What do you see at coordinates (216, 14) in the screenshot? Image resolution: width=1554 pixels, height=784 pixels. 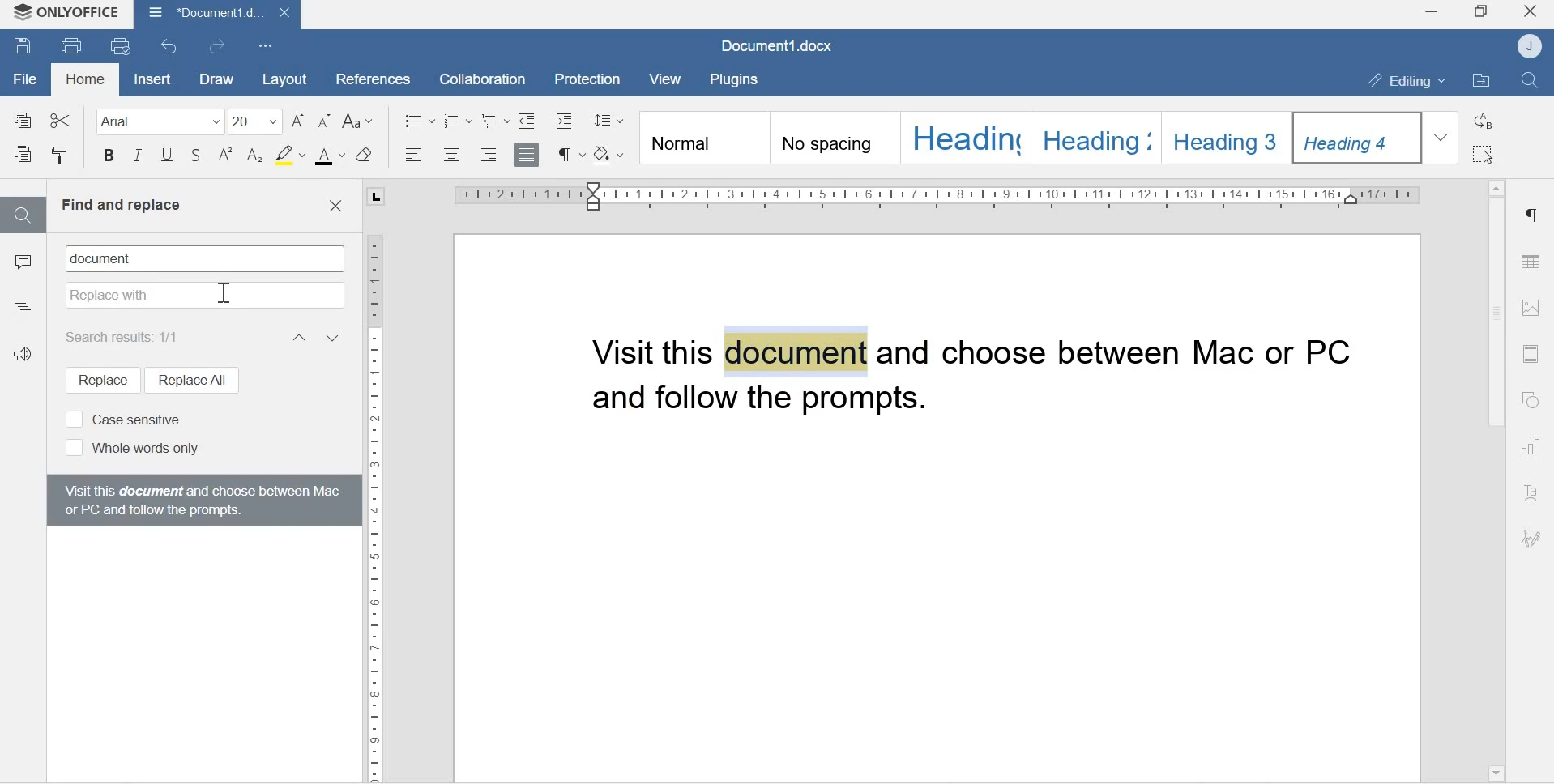 I see `Document1.docx` at bounding box center [216, 14].